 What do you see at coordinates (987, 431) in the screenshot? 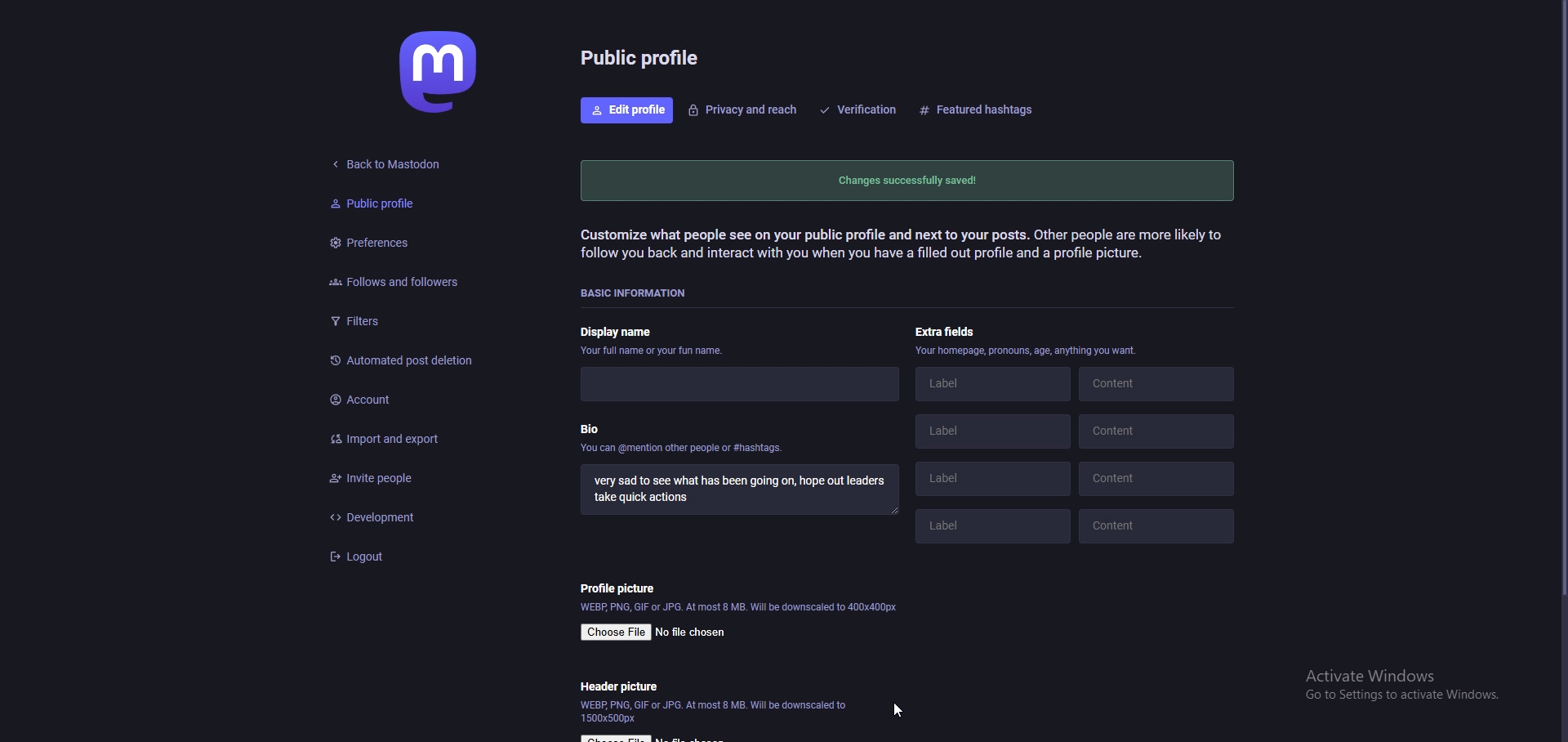
I see `label` at bounding box center [987, 431].